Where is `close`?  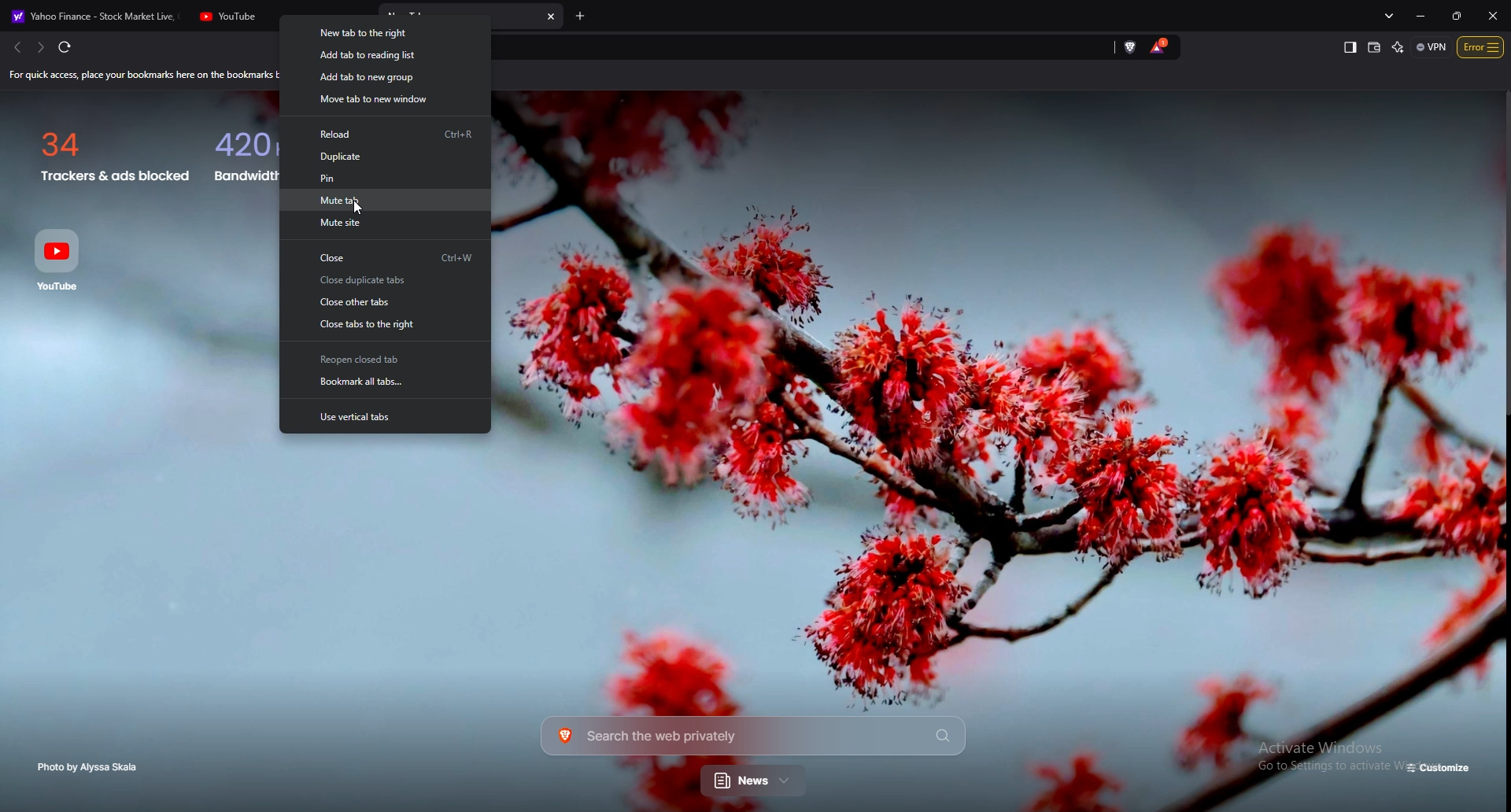 close is located at coordinates (1493, 15).